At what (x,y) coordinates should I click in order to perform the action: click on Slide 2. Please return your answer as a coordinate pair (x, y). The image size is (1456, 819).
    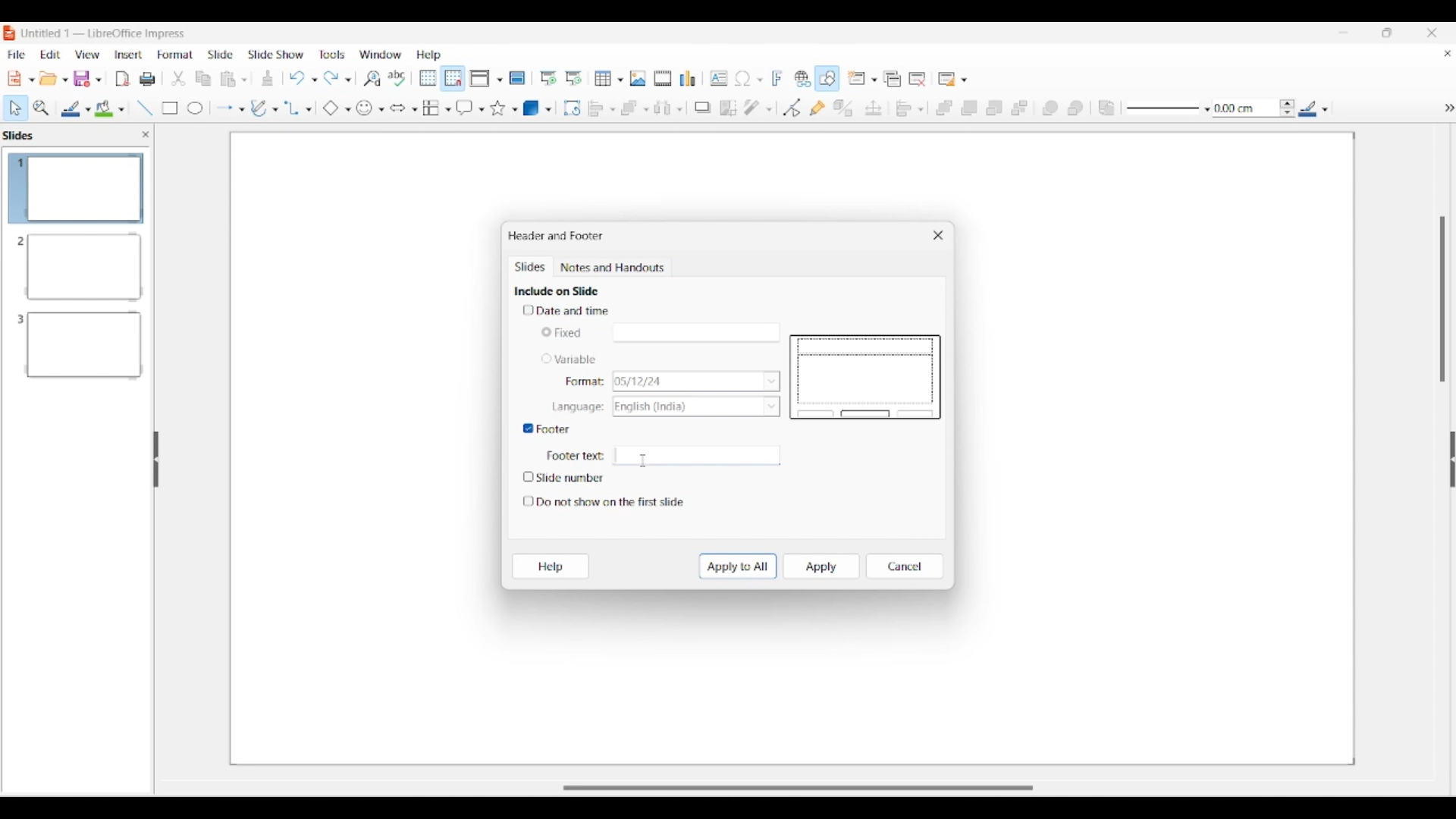
    Looking at the image, I should click on (79, 264).